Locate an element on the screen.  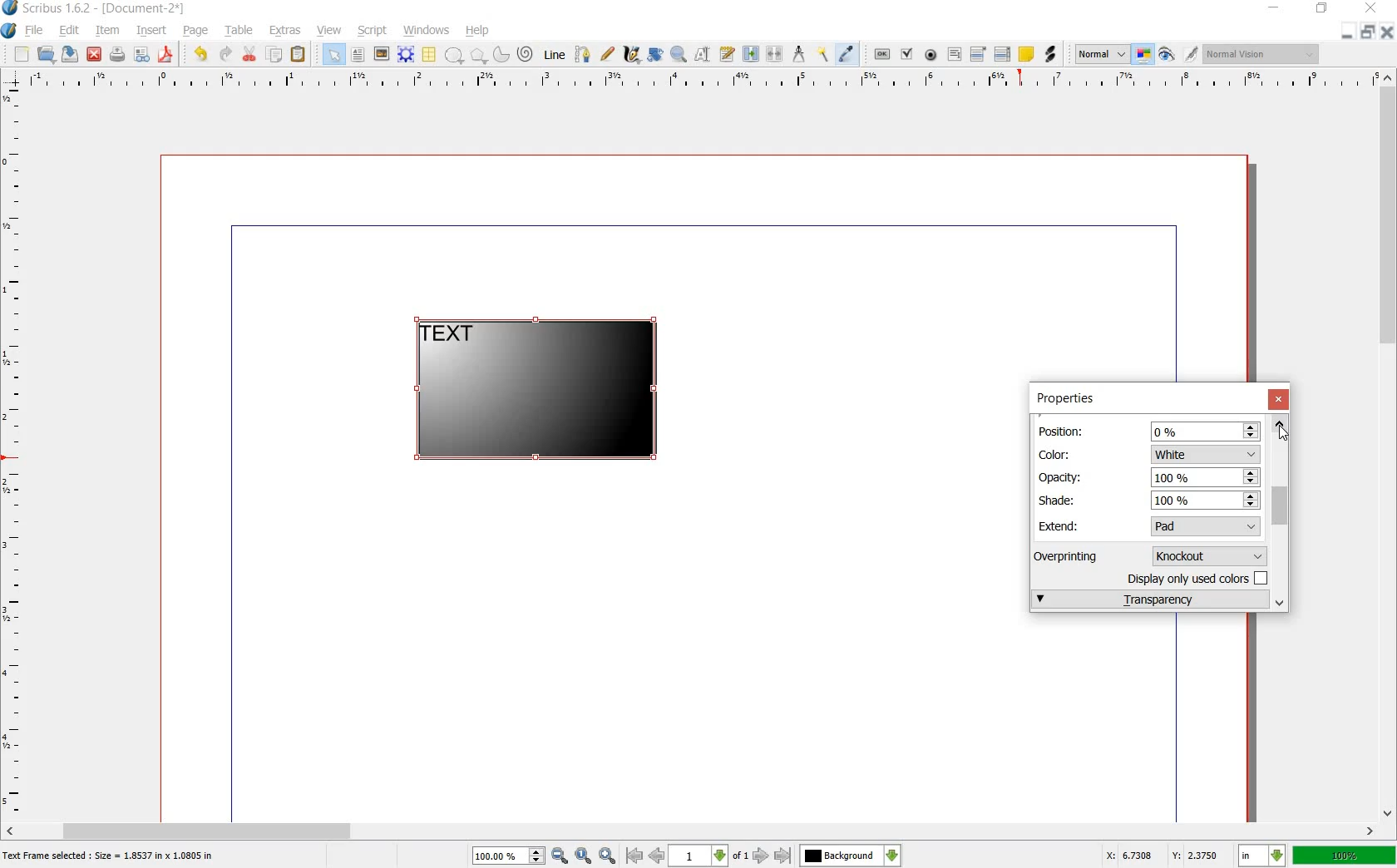
undo is located at coordinates (203, 55).